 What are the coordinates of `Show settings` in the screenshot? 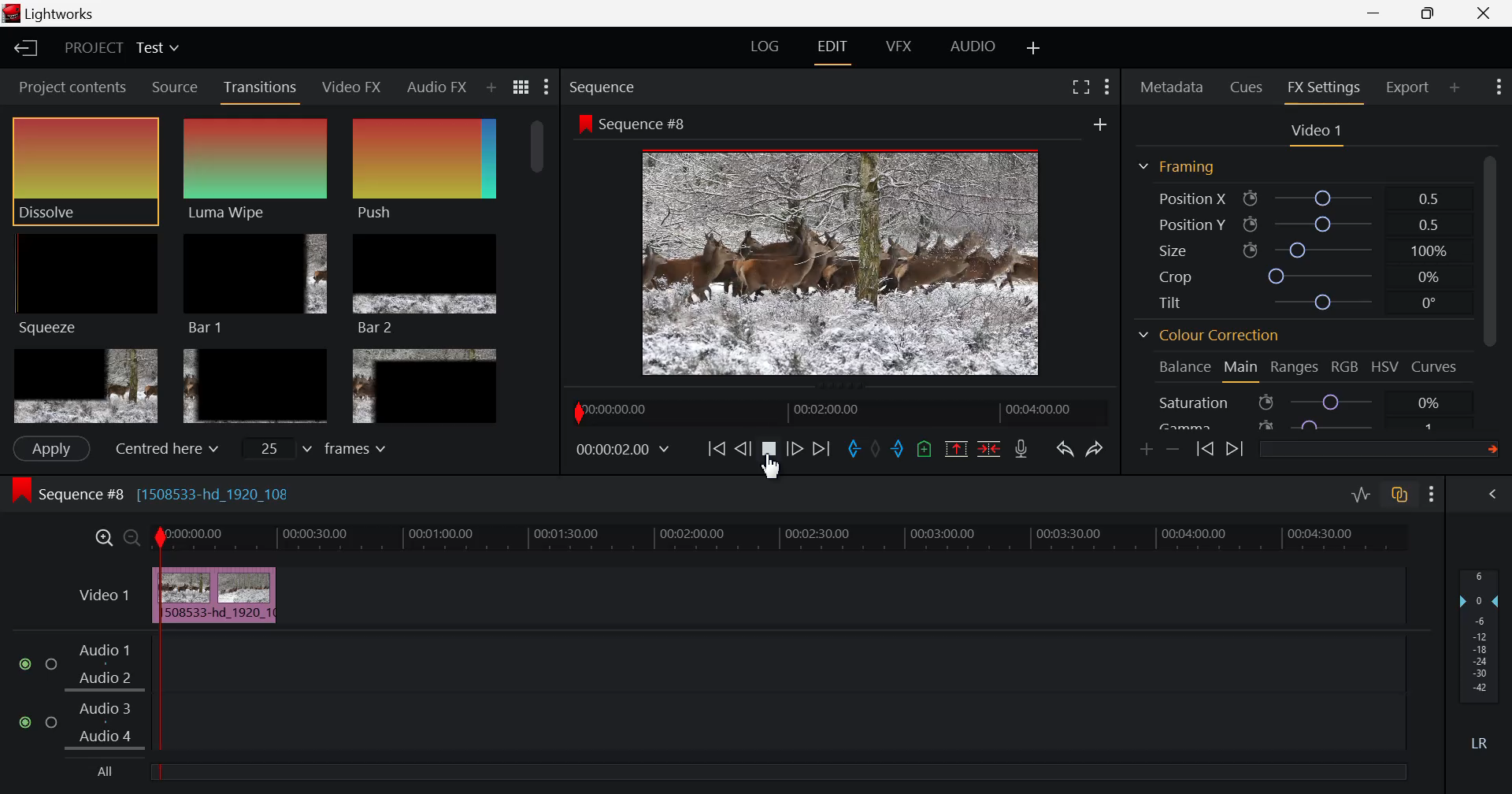 It's located at (1107, 87).